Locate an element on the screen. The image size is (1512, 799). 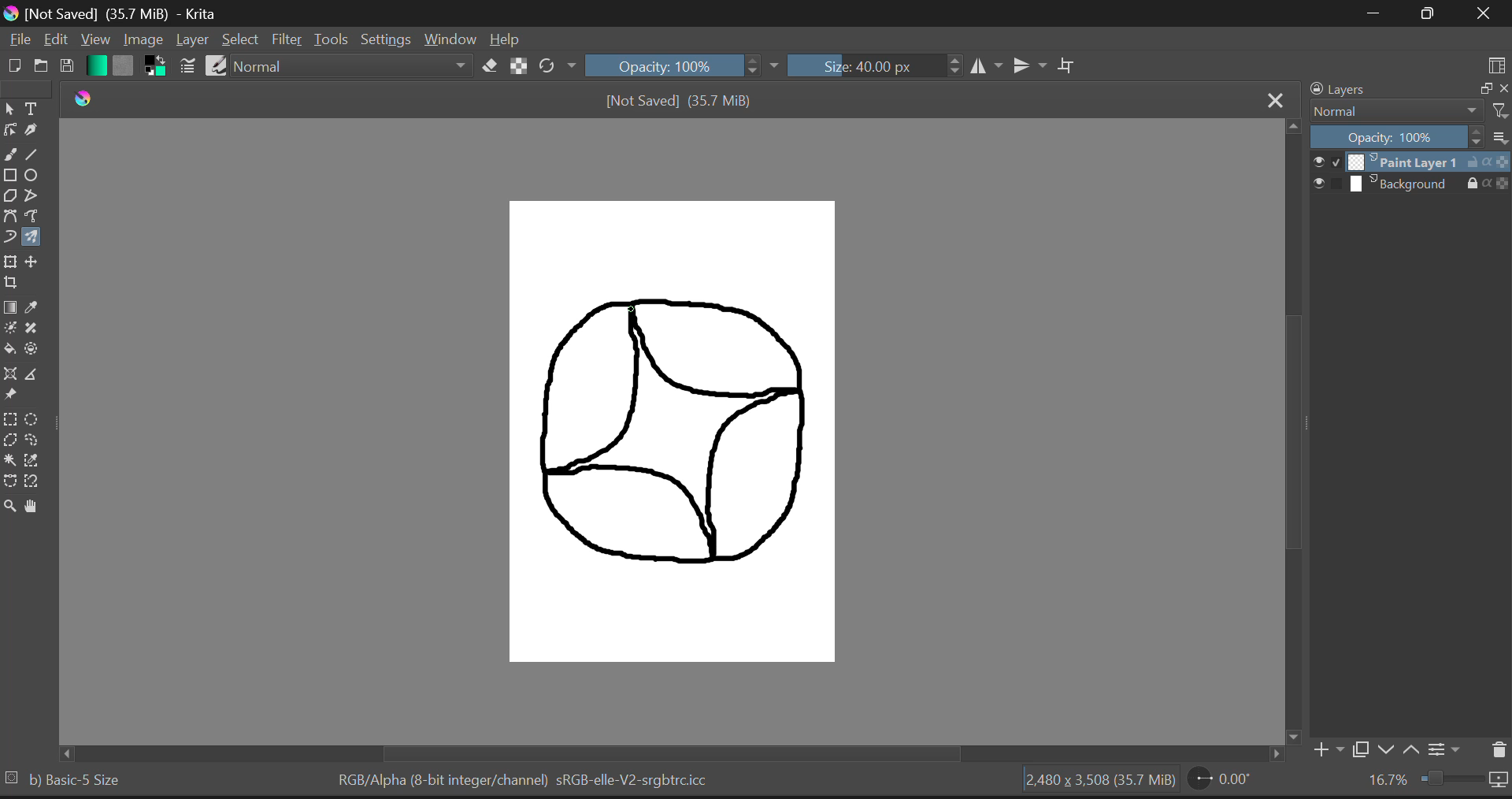
Opacity 100% is located at coordinates (682, 65).